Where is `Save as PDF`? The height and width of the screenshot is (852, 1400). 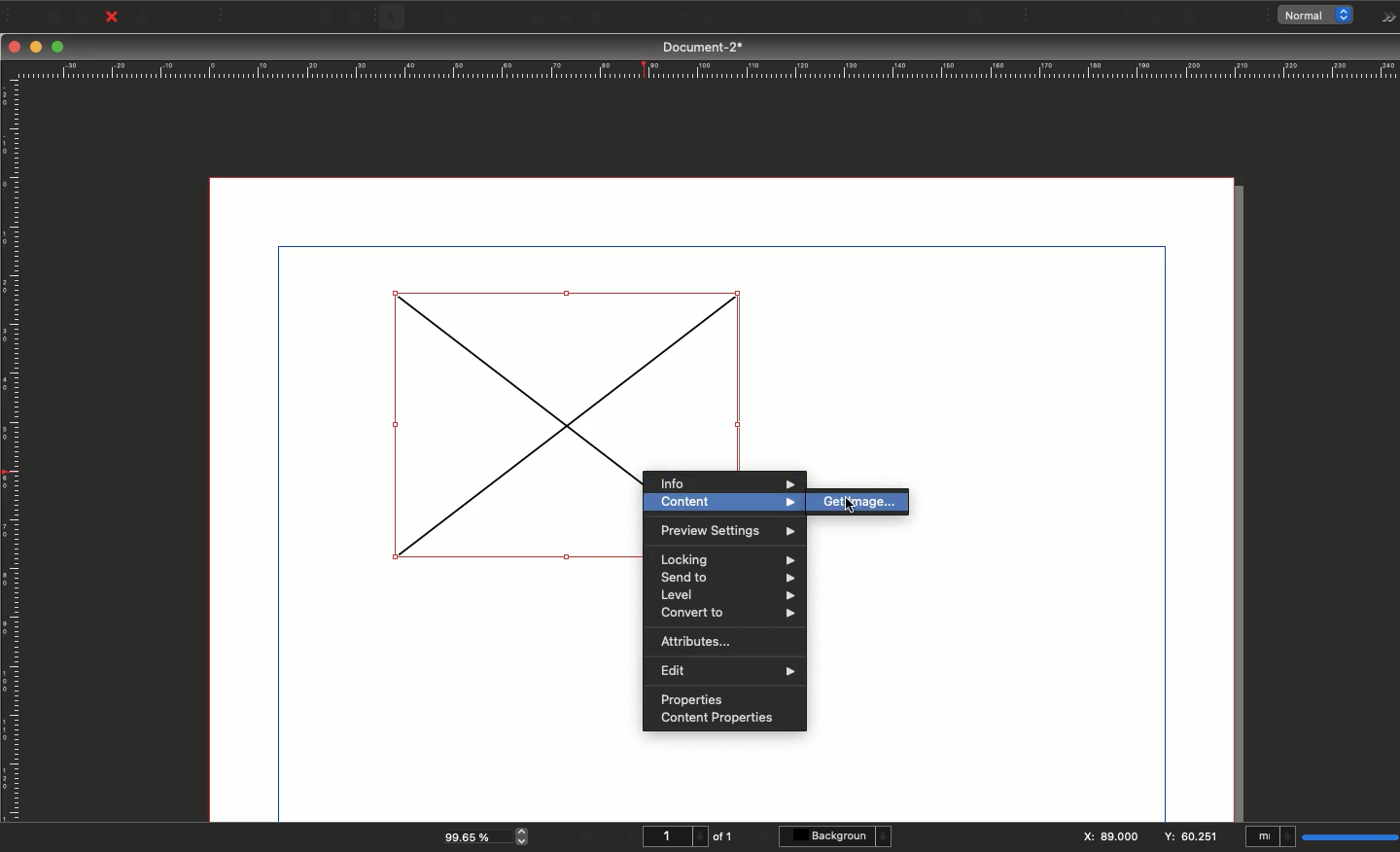 Save as PDF is located at coordinates (202, 17).